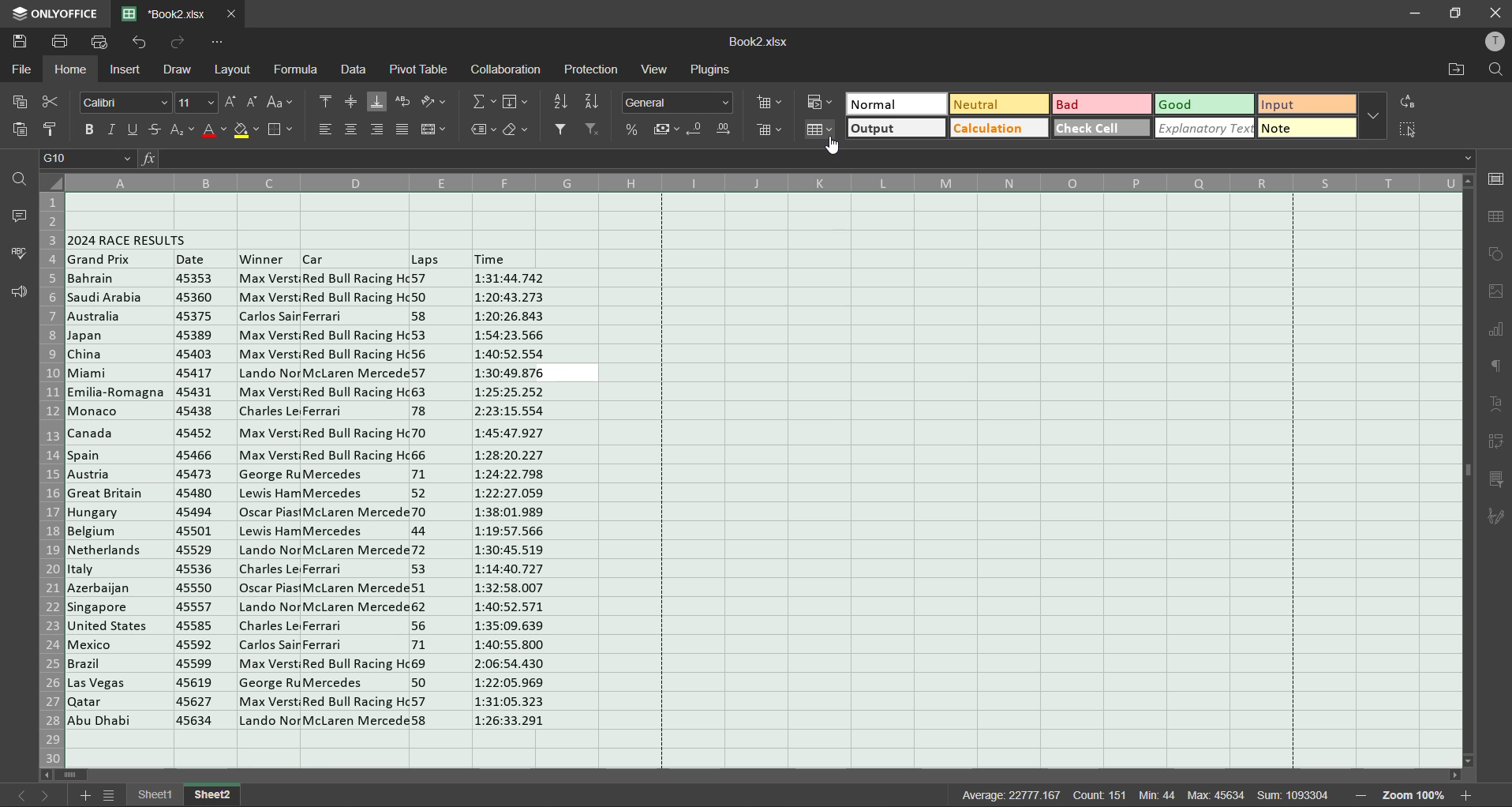  I want to click on sort descending, so click(592, 102).